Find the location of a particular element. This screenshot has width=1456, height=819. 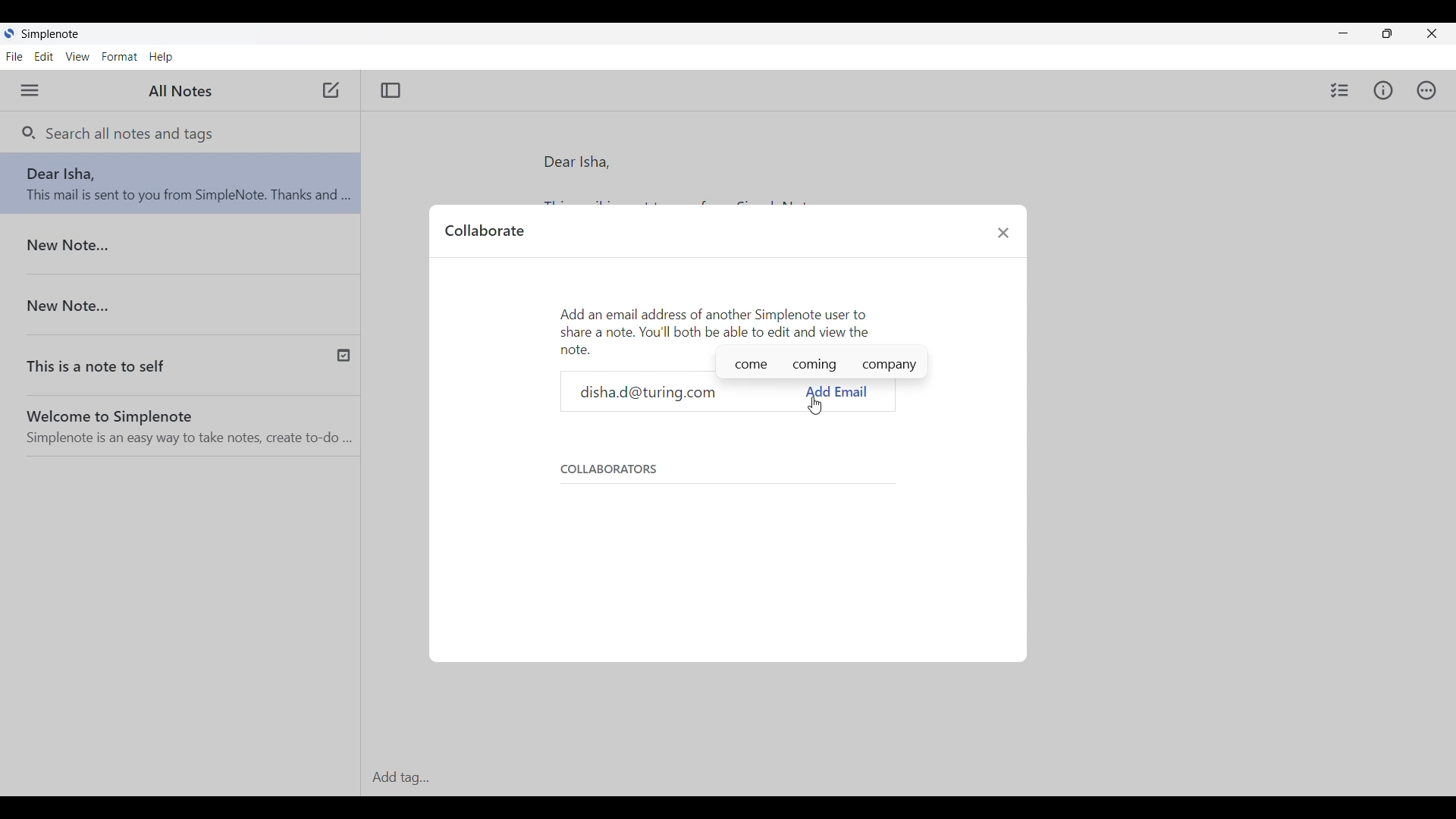

This is a note to self is located at coordinates (147, 357).